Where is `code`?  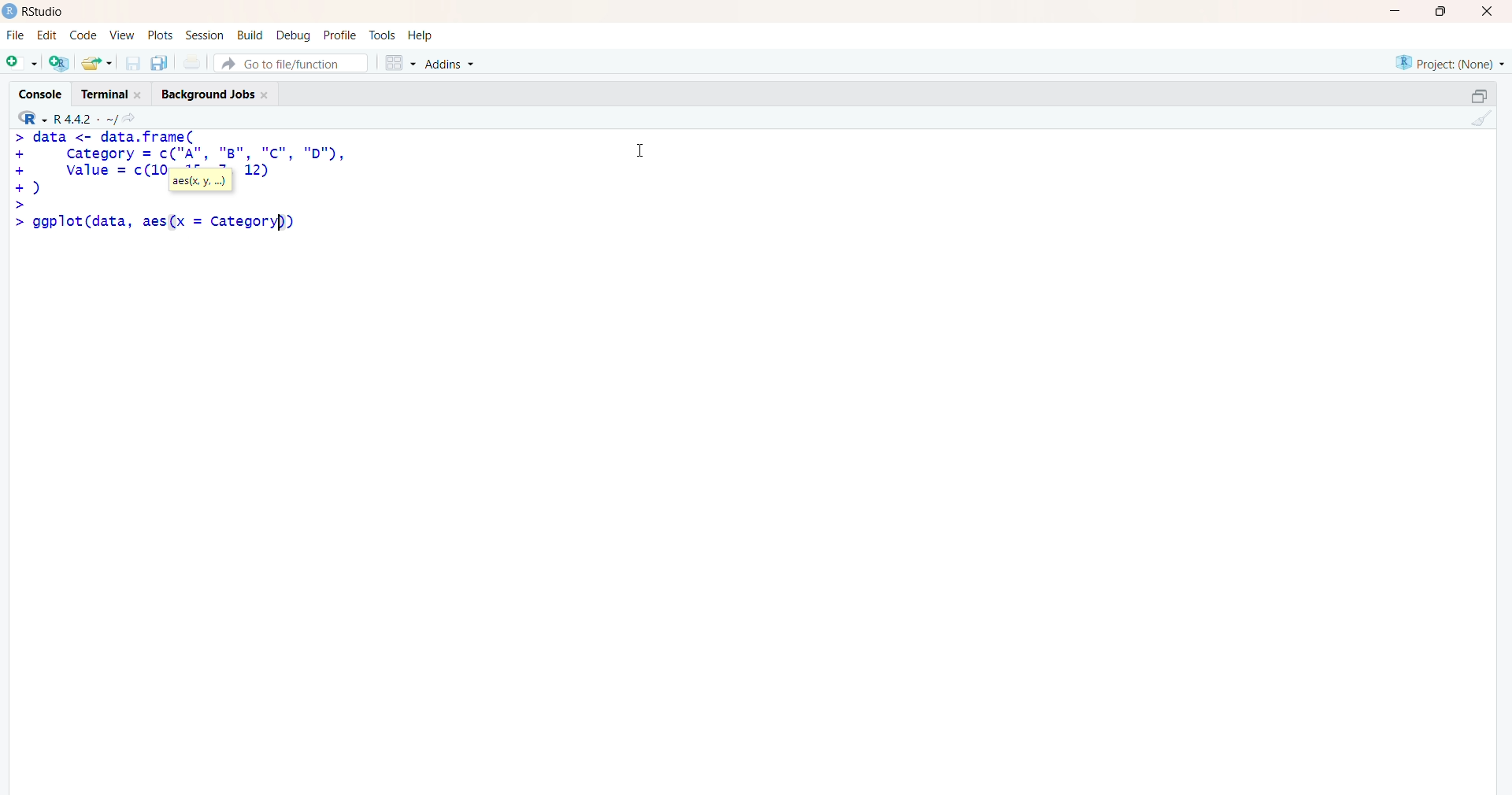 code is located at coordinates (83, 35).